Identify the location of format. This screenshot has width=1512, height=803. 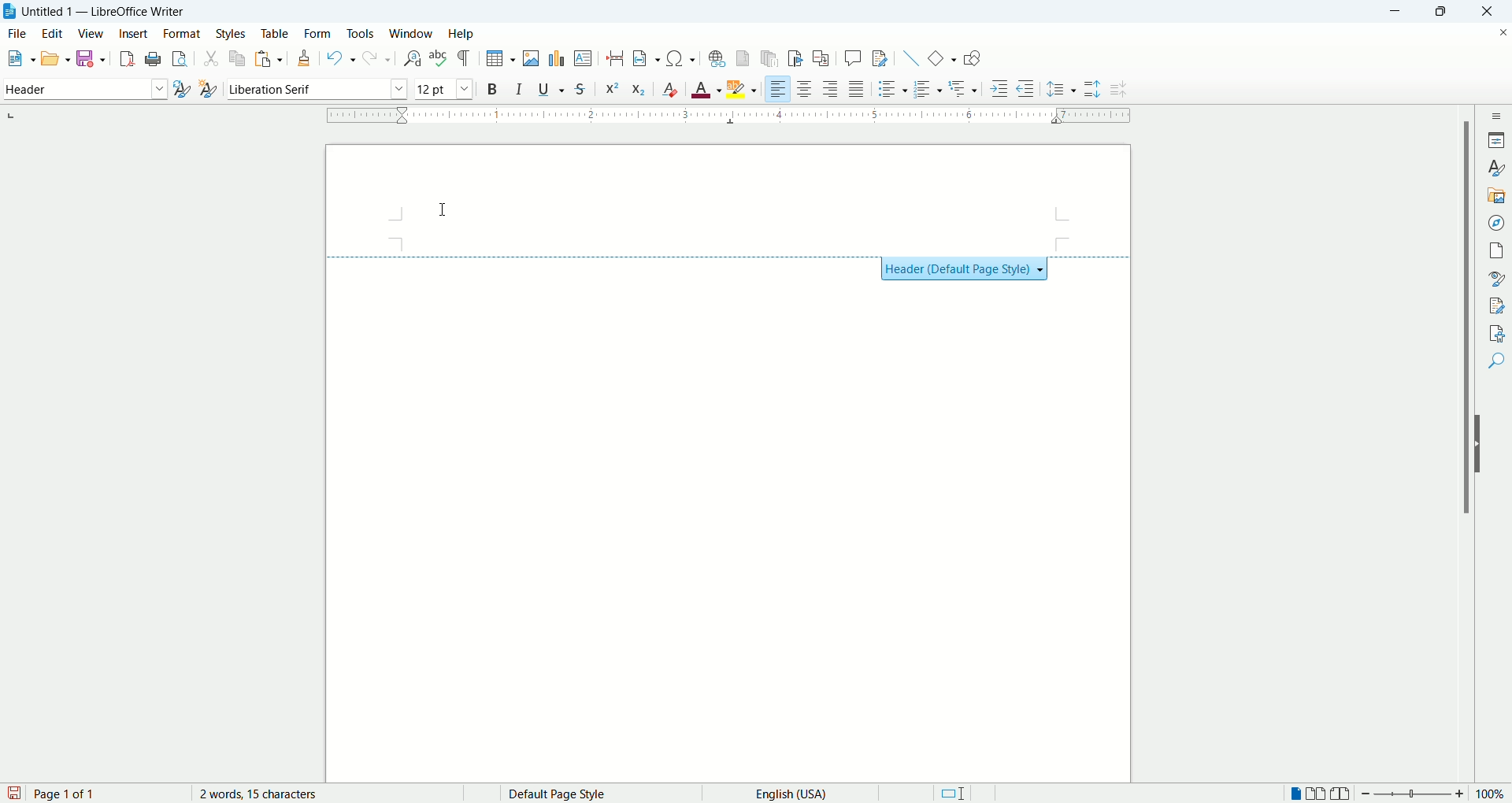
(180, 34).